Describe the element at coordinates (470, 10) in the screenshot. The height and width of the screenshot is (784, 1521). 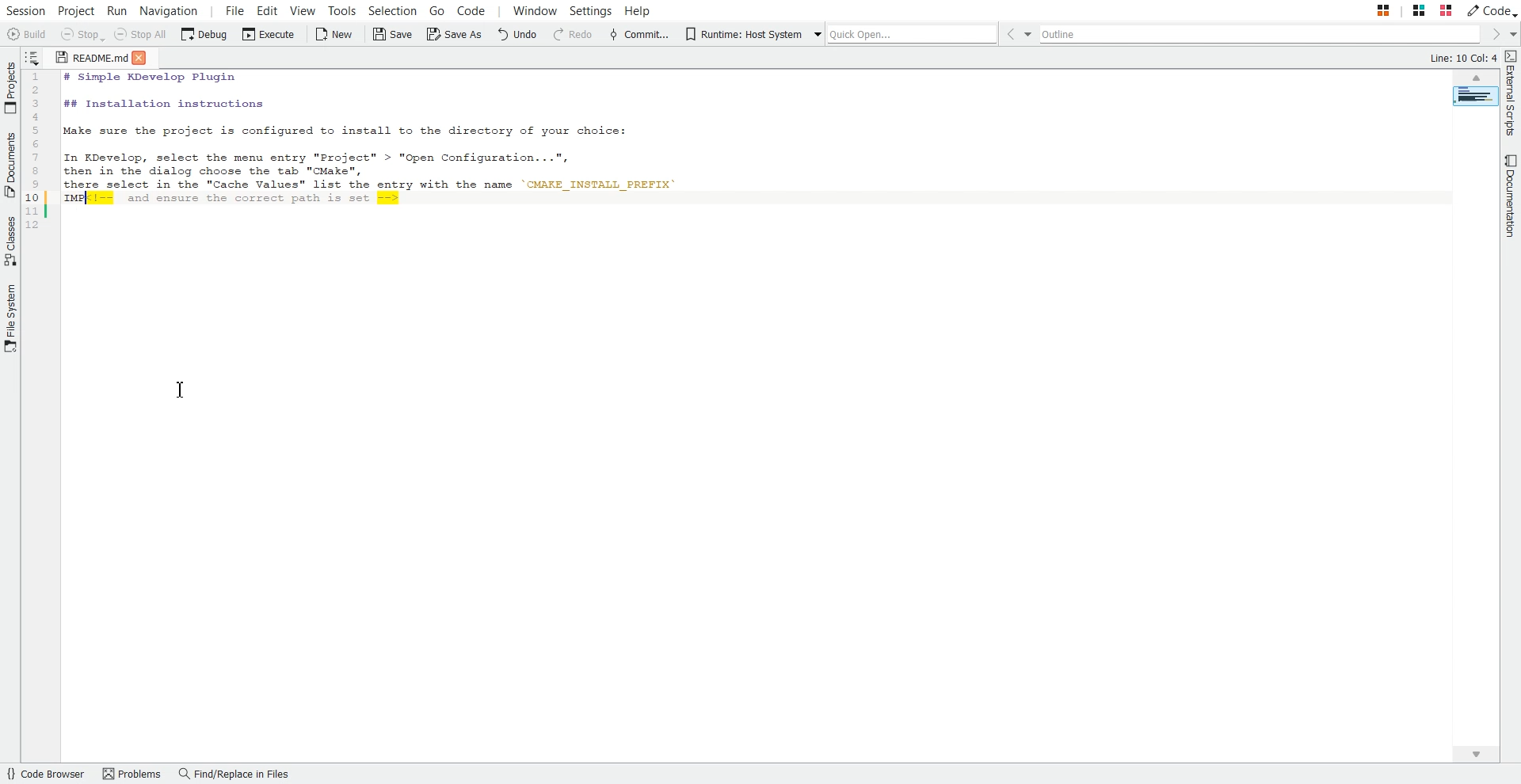
I see `Code` at that location.